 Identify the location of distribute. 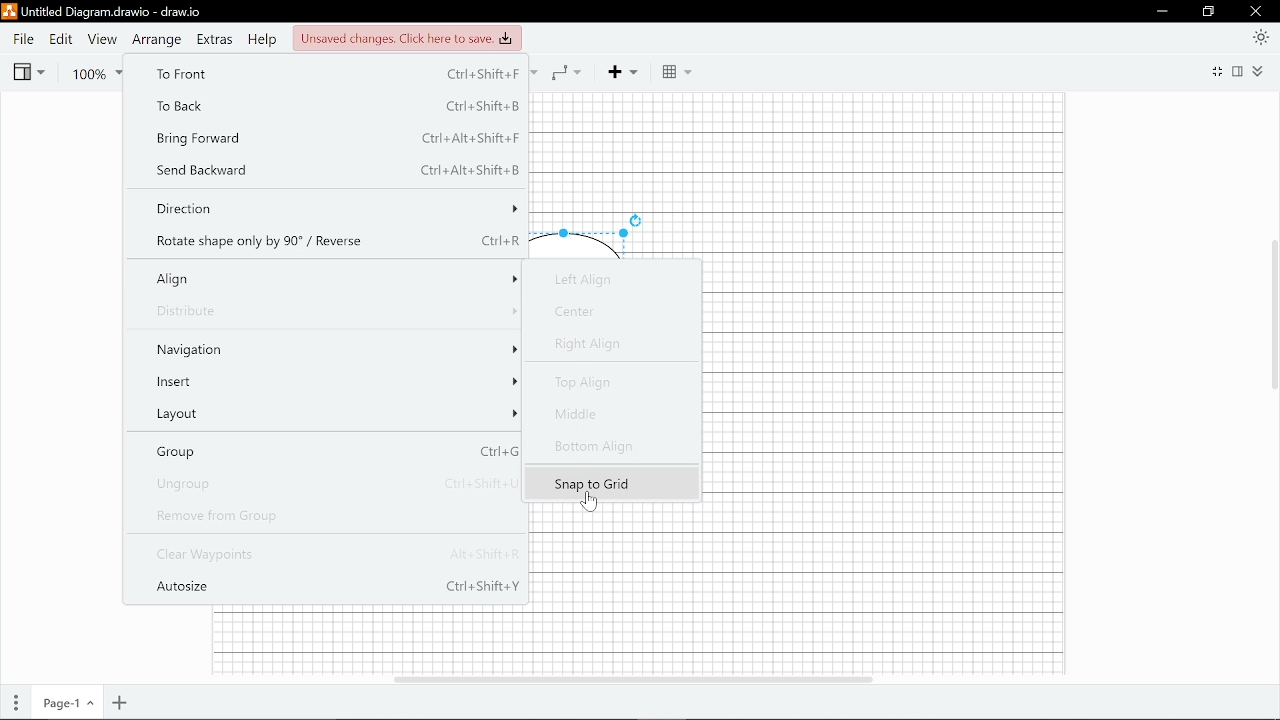
(335, 317).